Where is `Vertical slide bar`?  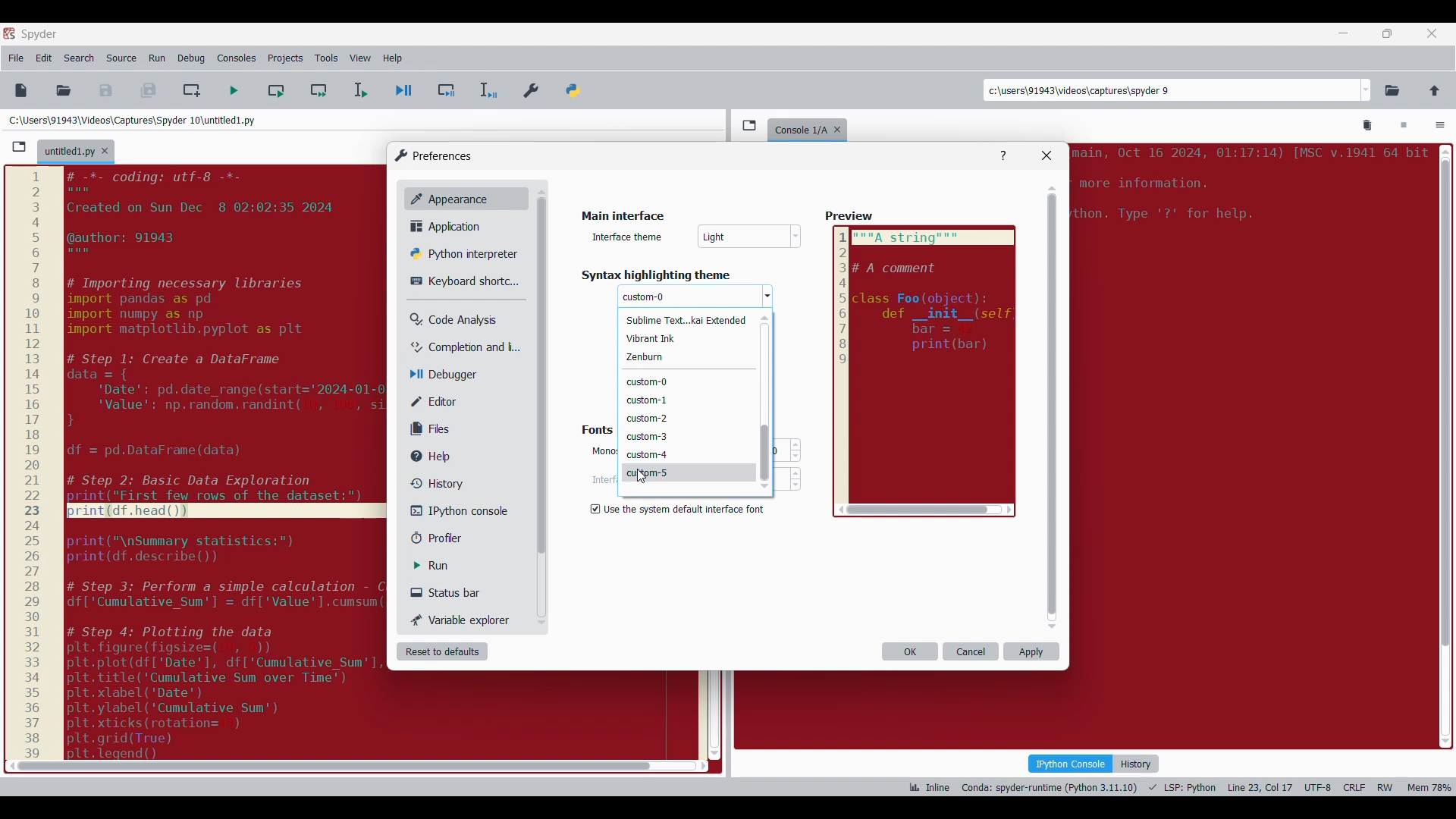 Vertical slide bar is located at coordinates (1050, 407).